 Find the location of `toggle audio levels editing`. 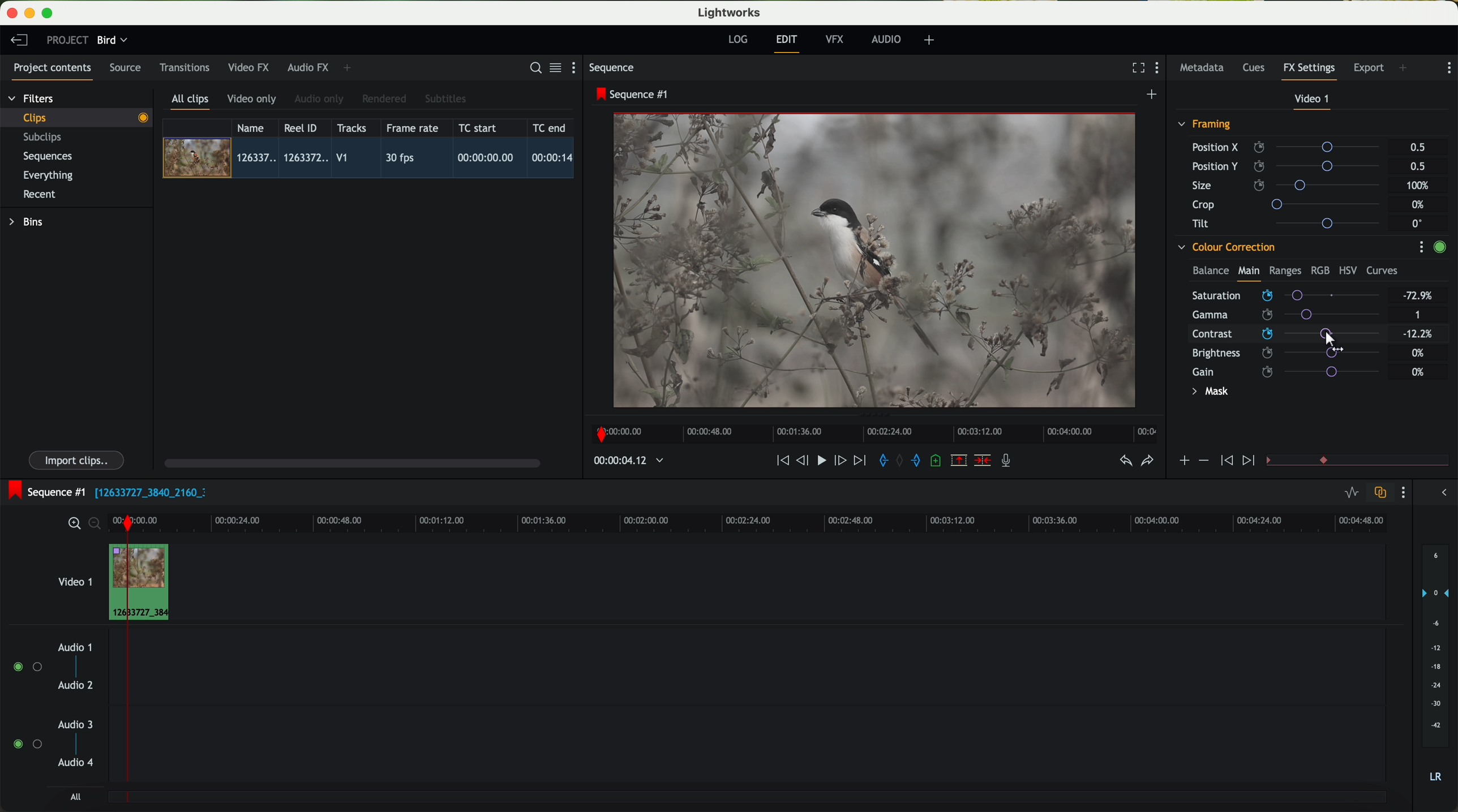

toggle audio levels editing is located at coordinates (1351, 494).